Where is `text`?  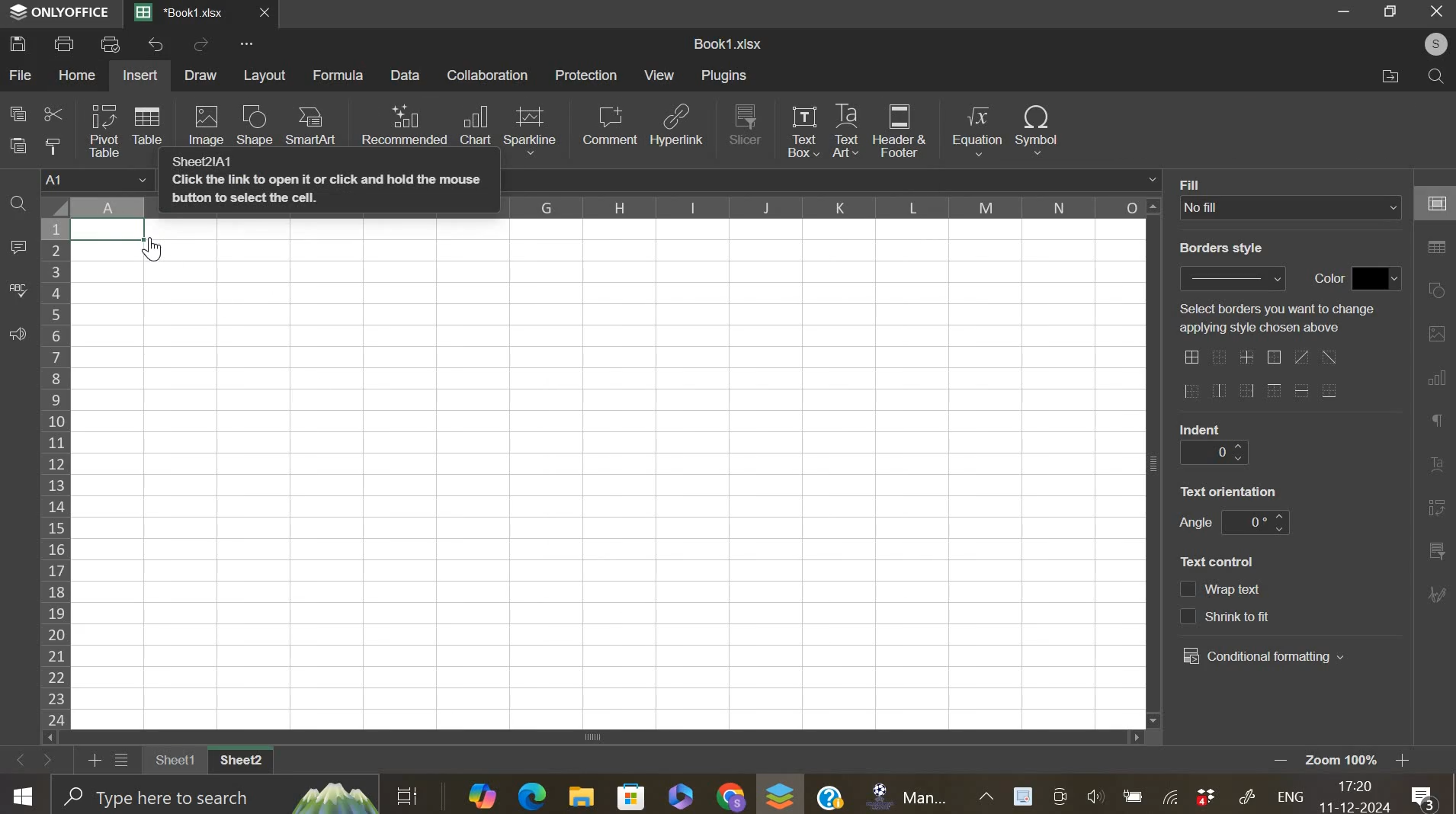
text is located at coordinates (1201, 428).